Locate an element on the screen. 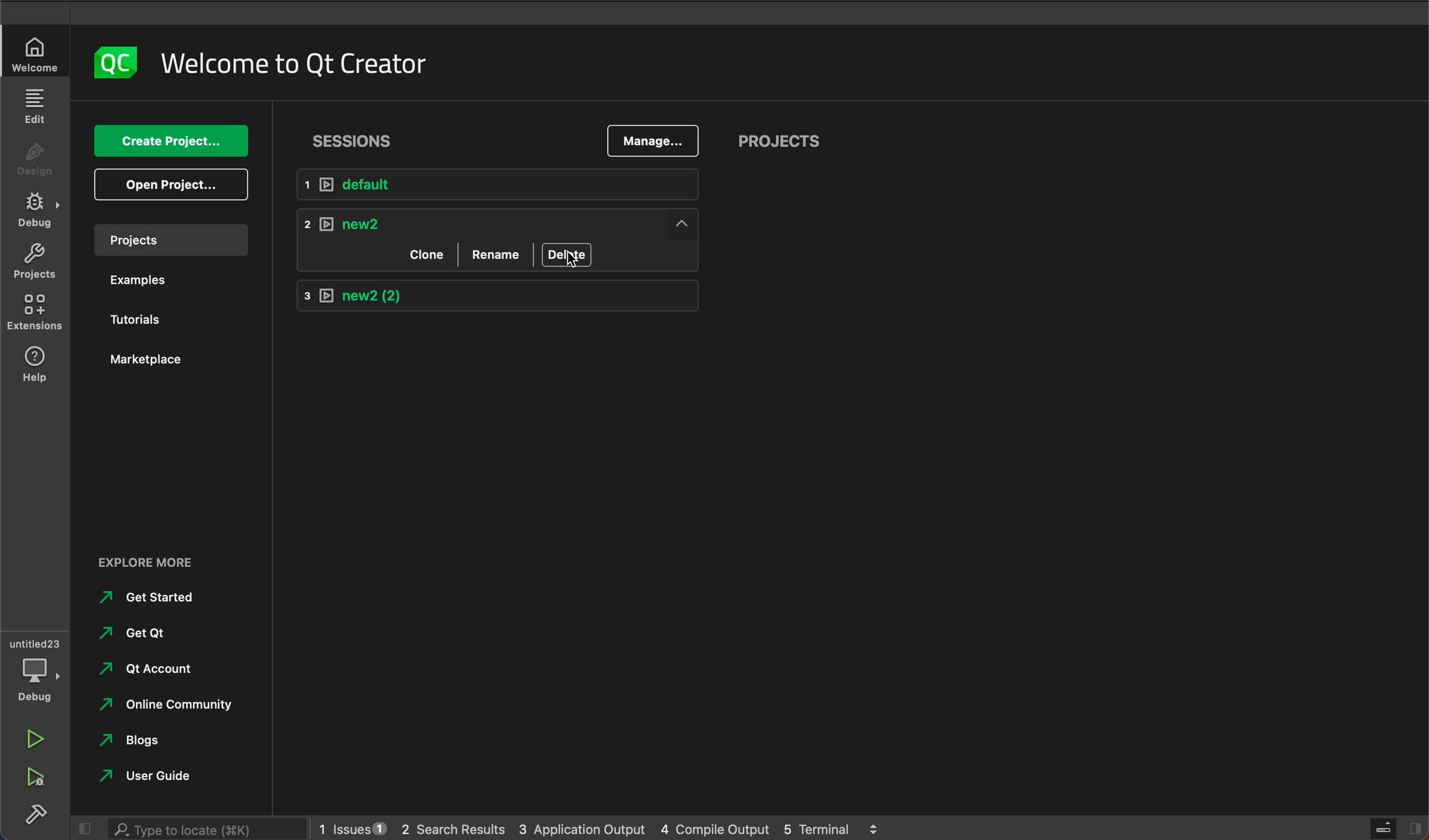 The height and width of the screenshot is (840, 1429). build is located at coordinates (38, 812).